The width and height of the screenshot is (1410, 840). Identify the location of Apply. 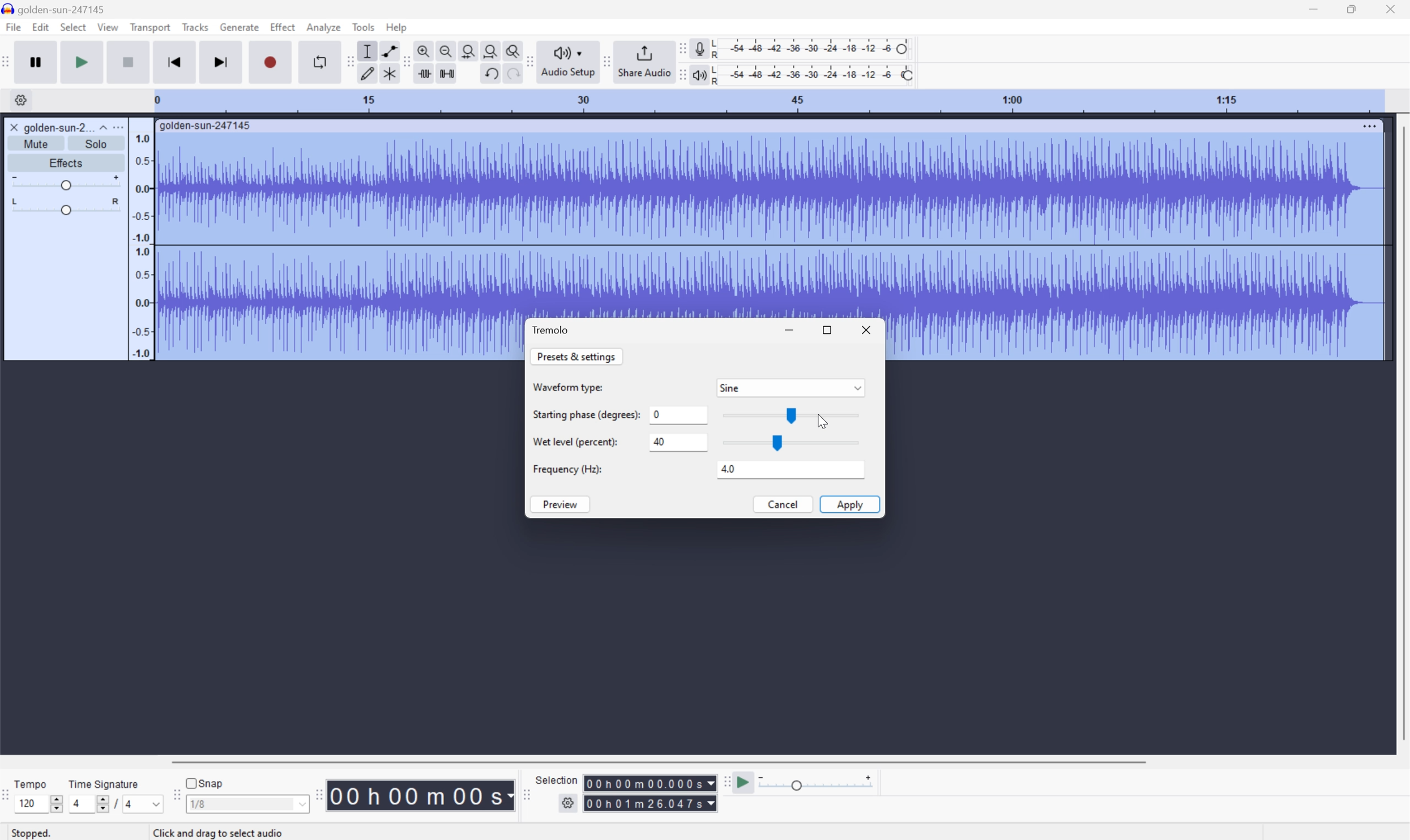
(849, 505).